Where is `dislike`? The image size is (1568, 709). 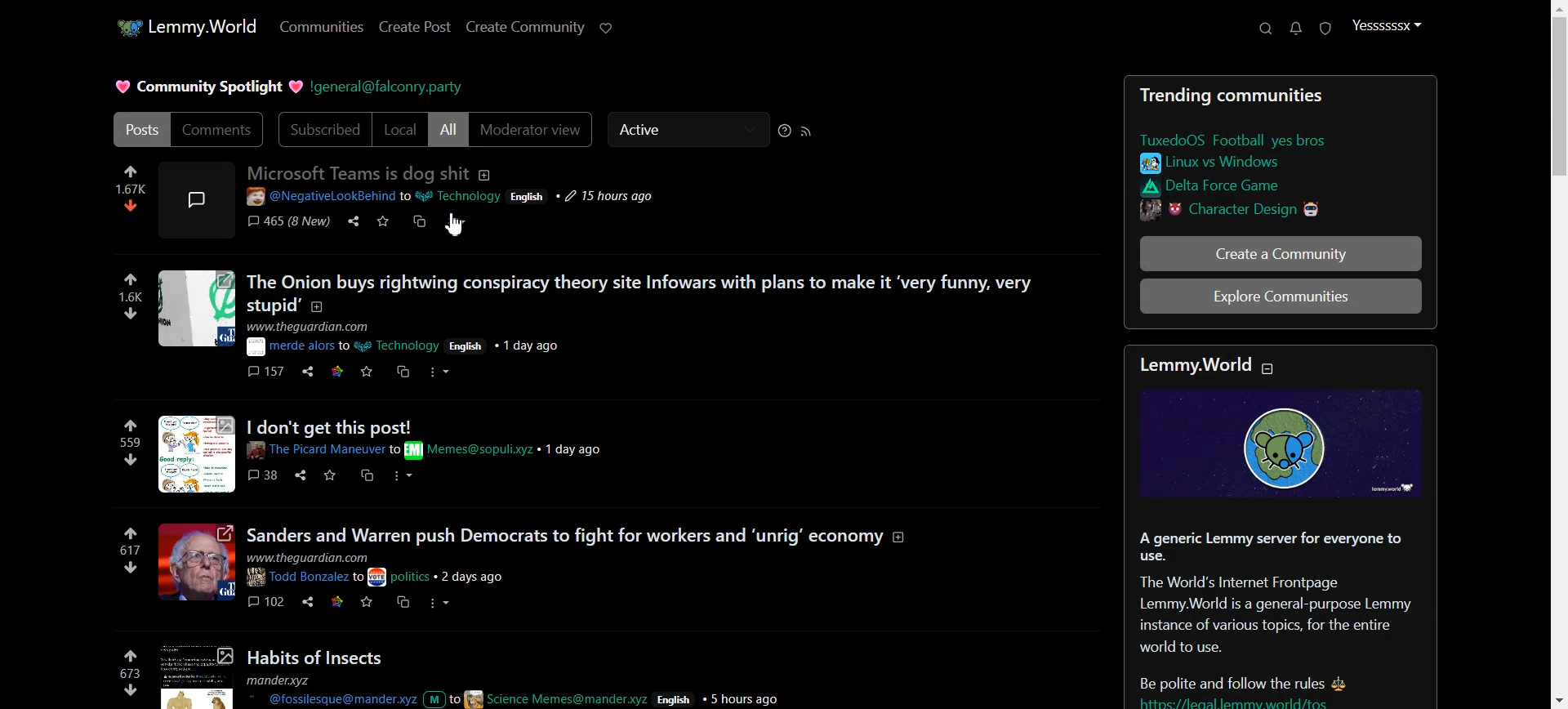
dislike is located at coordinates (132, 205).